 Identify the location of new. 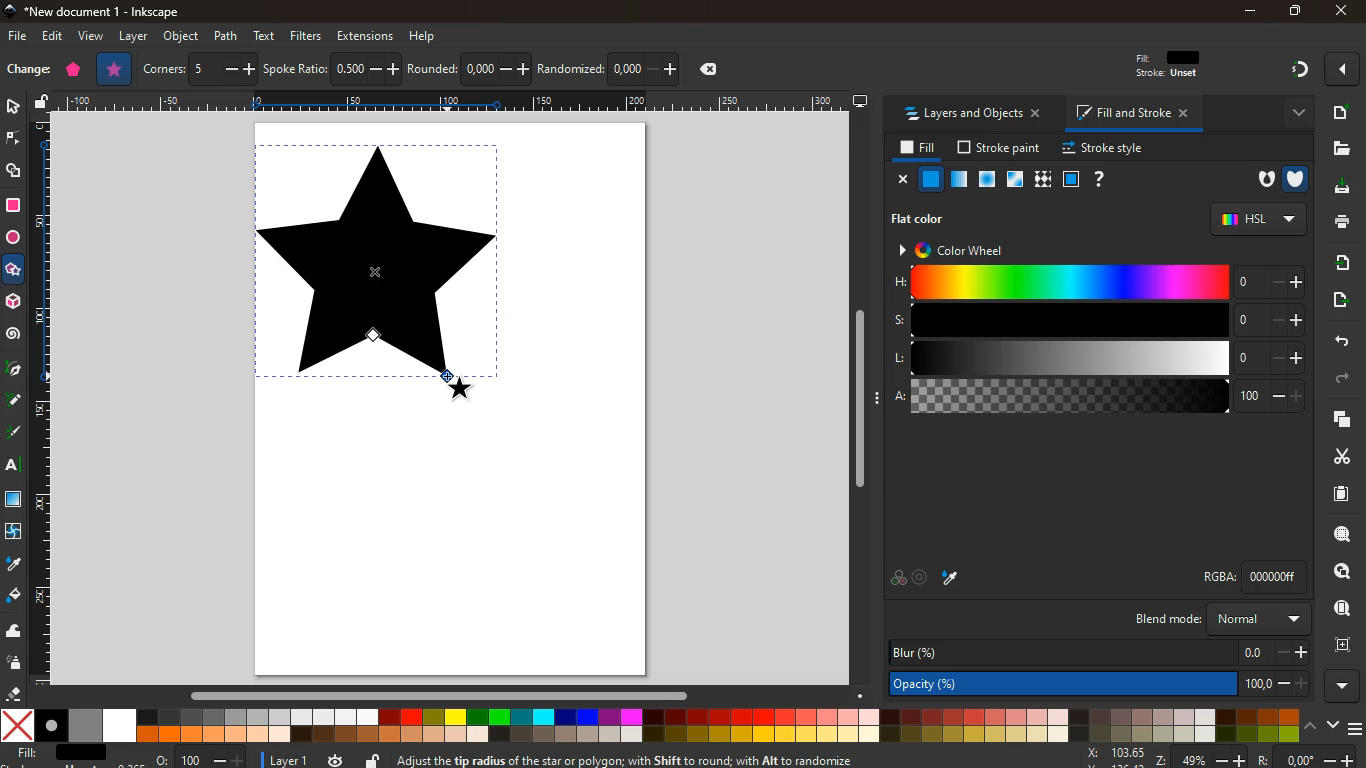
(28, 69).